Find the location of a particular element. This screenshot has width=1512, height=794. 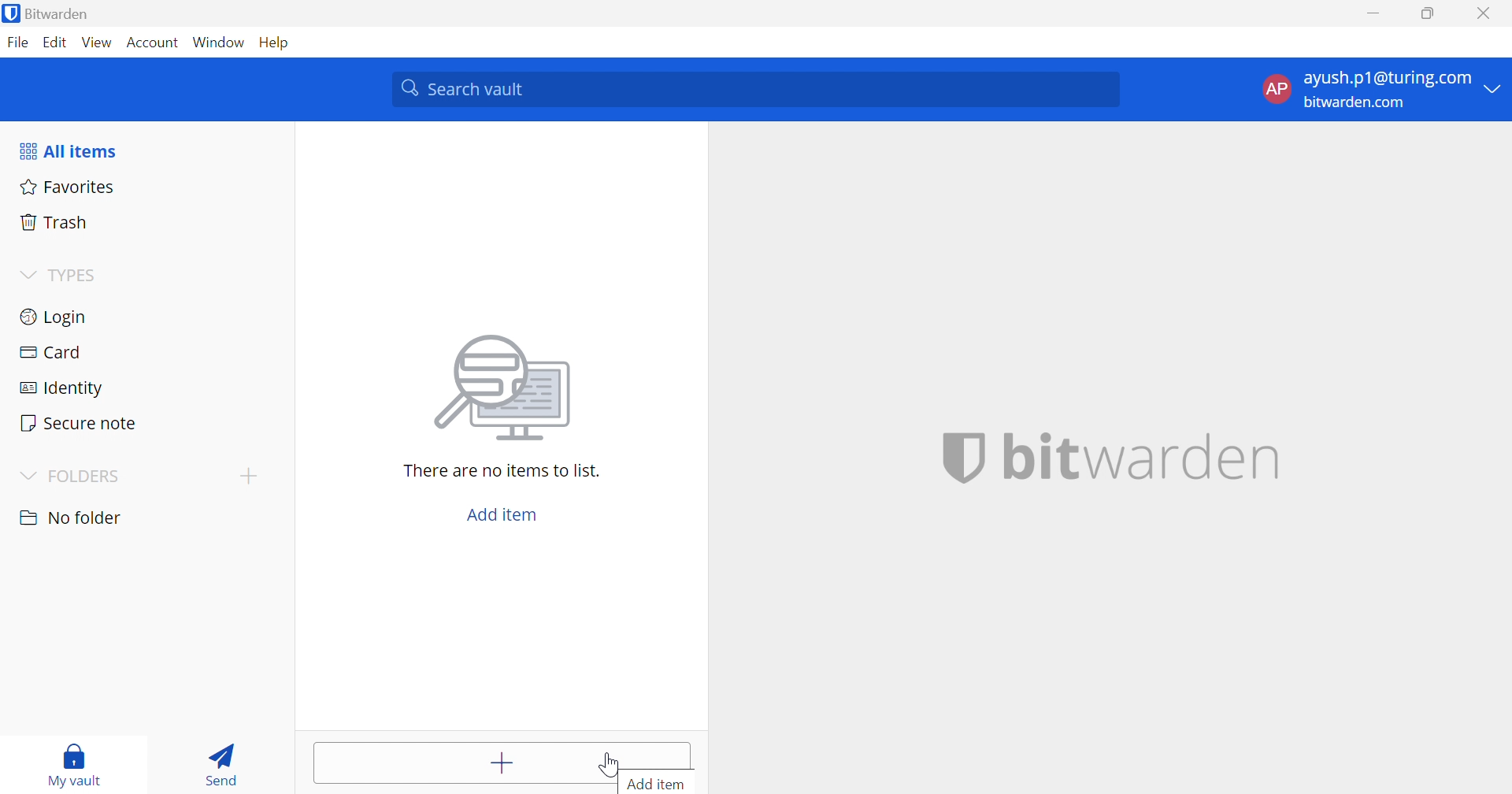

All items is located at coordinates (67, 151).